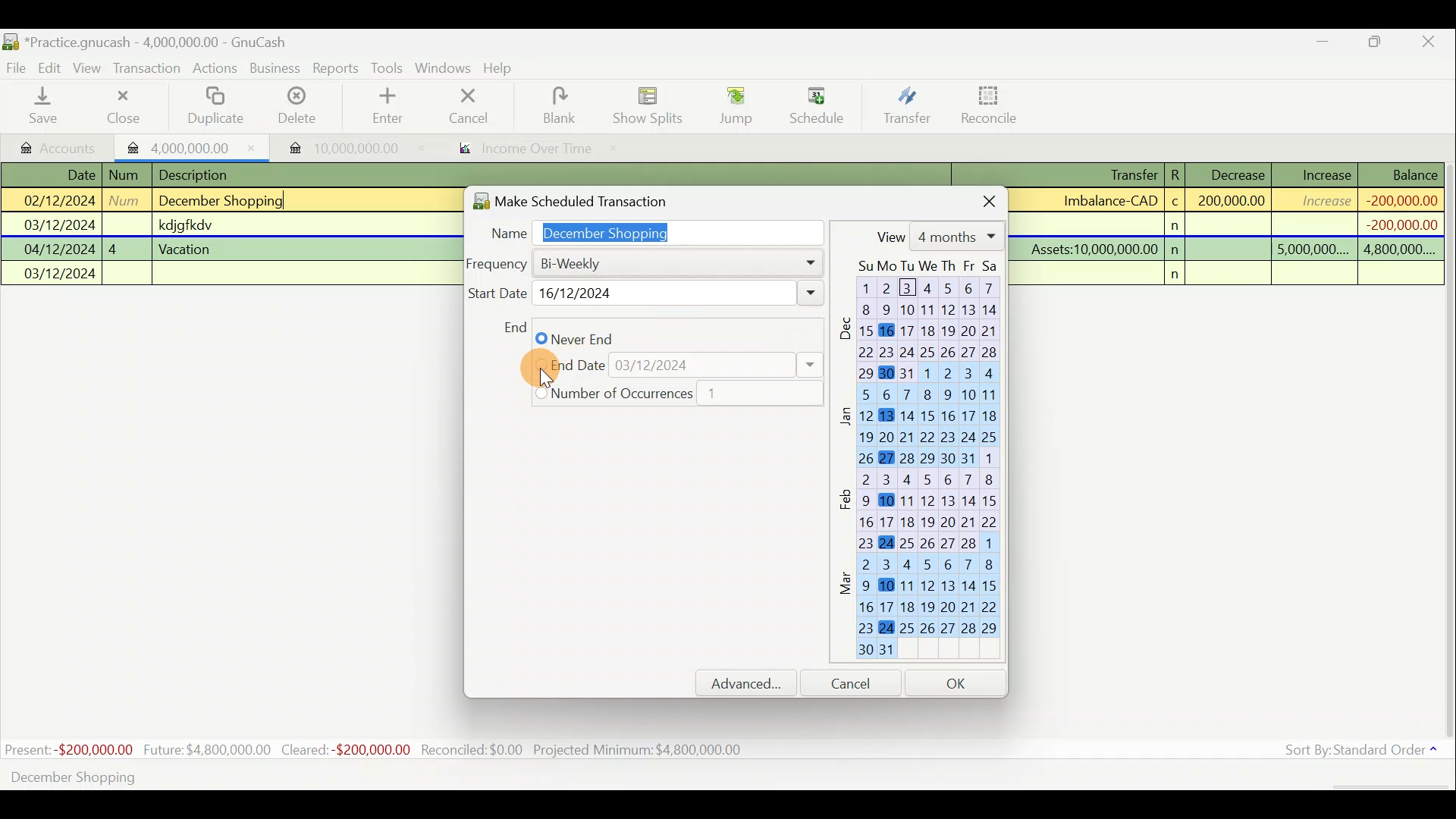 The height and width of the screenshot is (819, 1456). I want to click on Close, so click(977, 199).